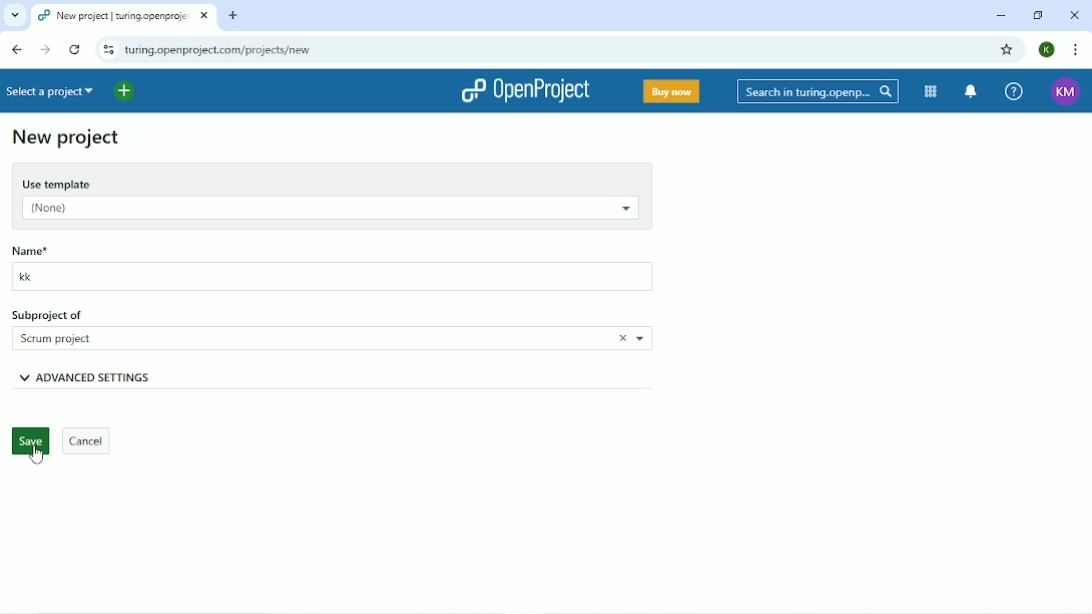  What do you see at coordinates (642, 339) in the screenshot?
I see `Choose` at bounding box center [642, 339].